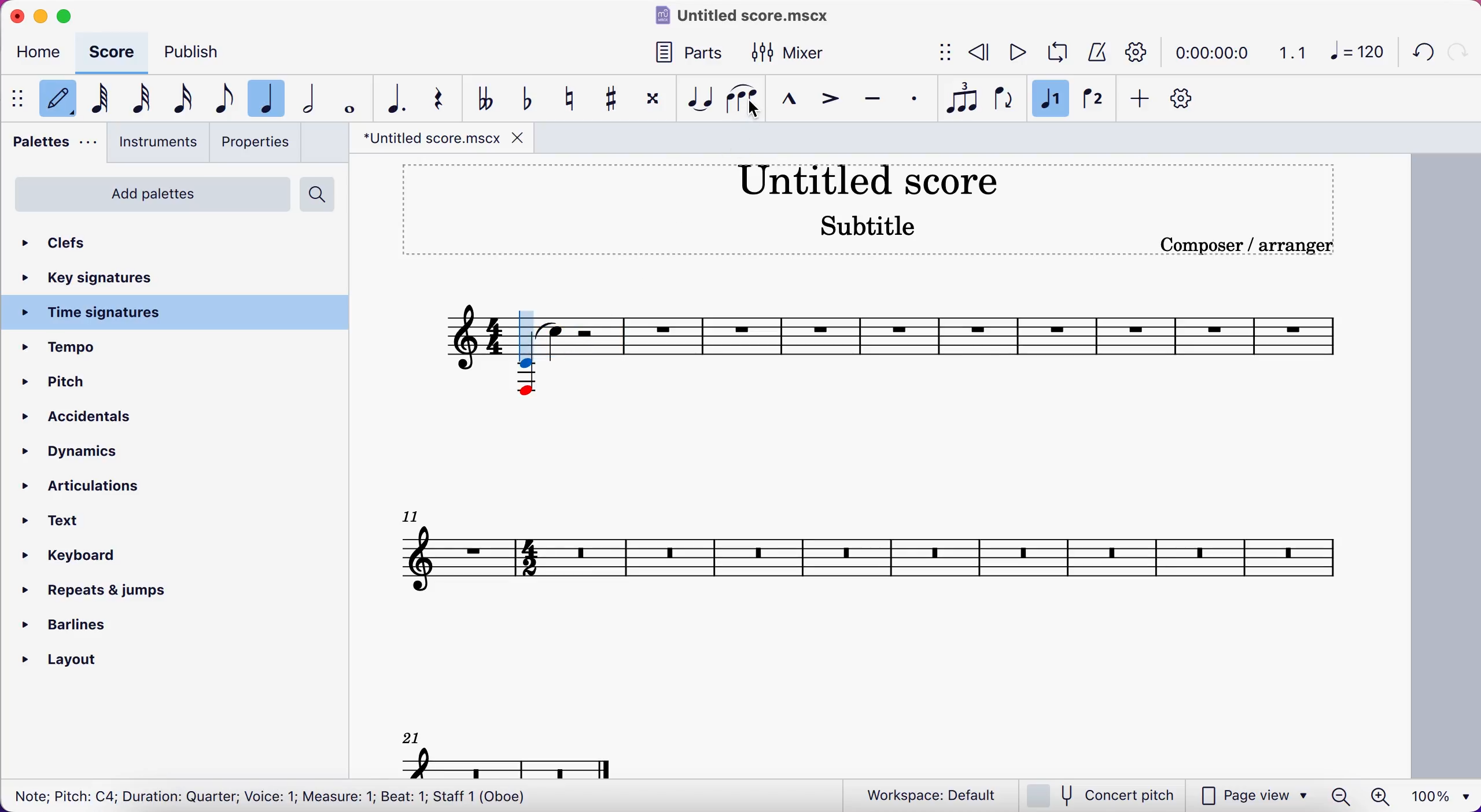 The height and width of the screenshot is (812, 1481). I want to click on tie, so click(697, 99).